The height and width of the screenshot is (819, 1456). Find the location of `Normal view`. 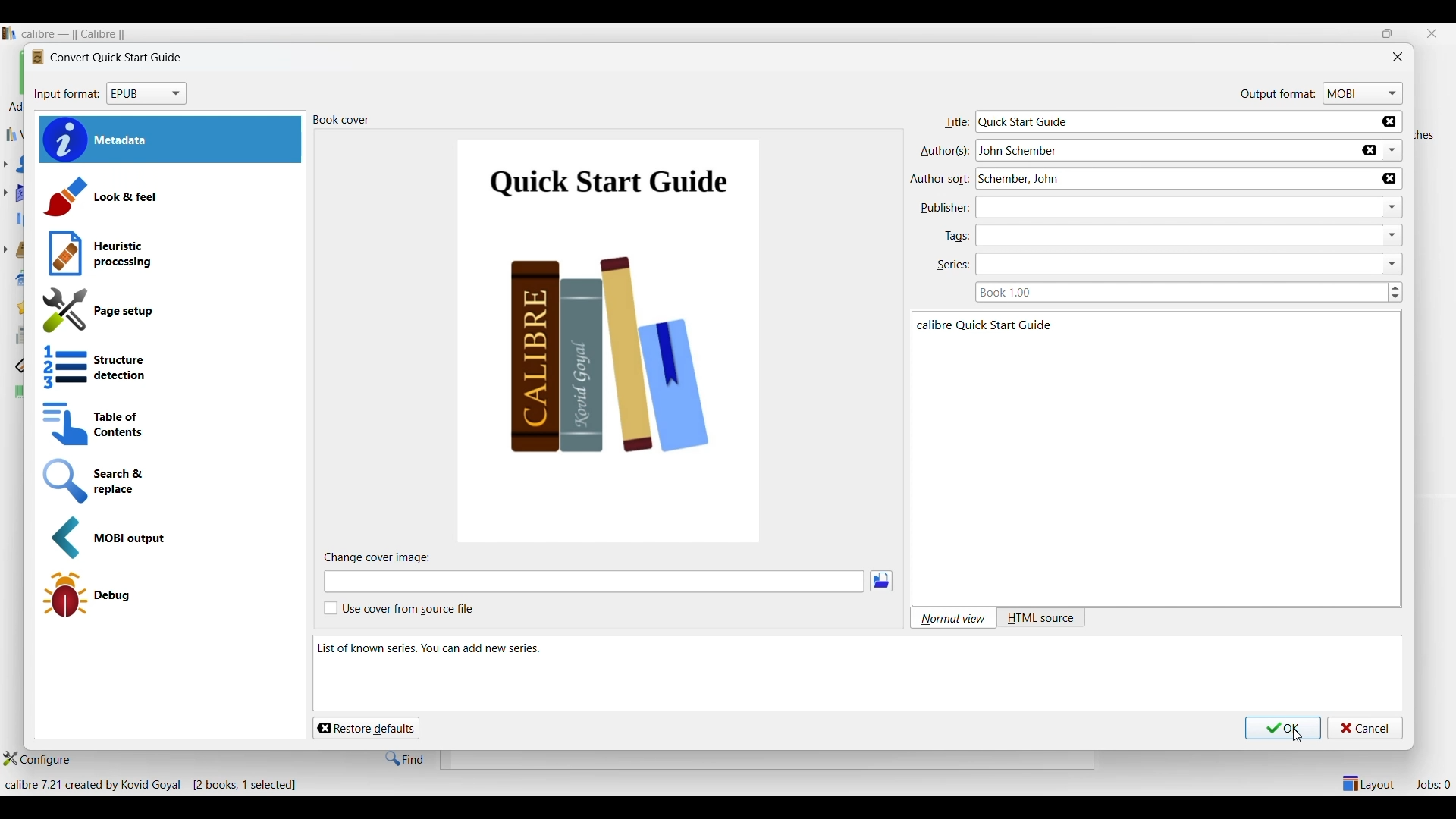

Normal view is located at coordinates (952, 618).